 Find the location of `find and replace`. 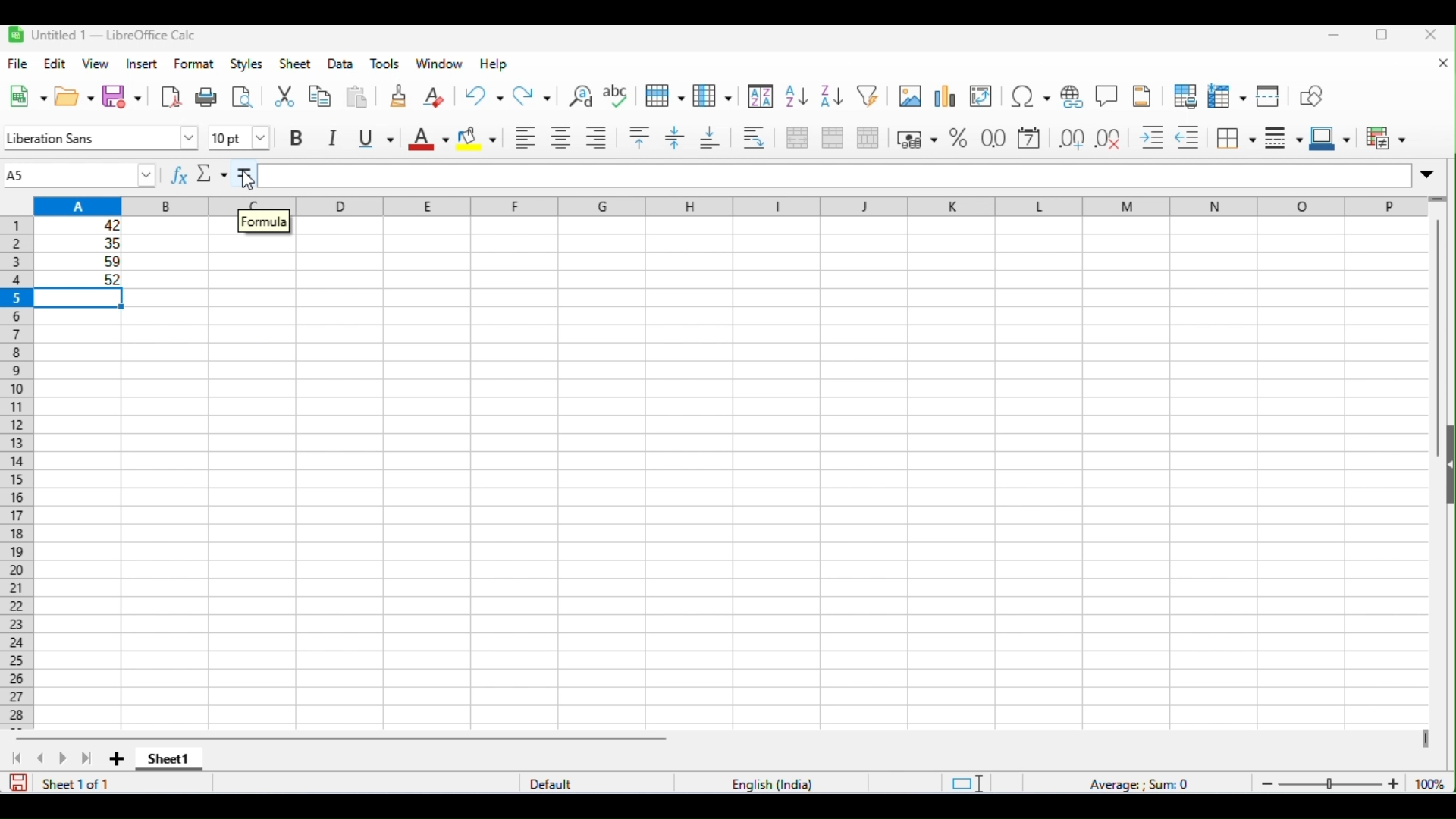

find and replace is located at coordinates (577, 95).